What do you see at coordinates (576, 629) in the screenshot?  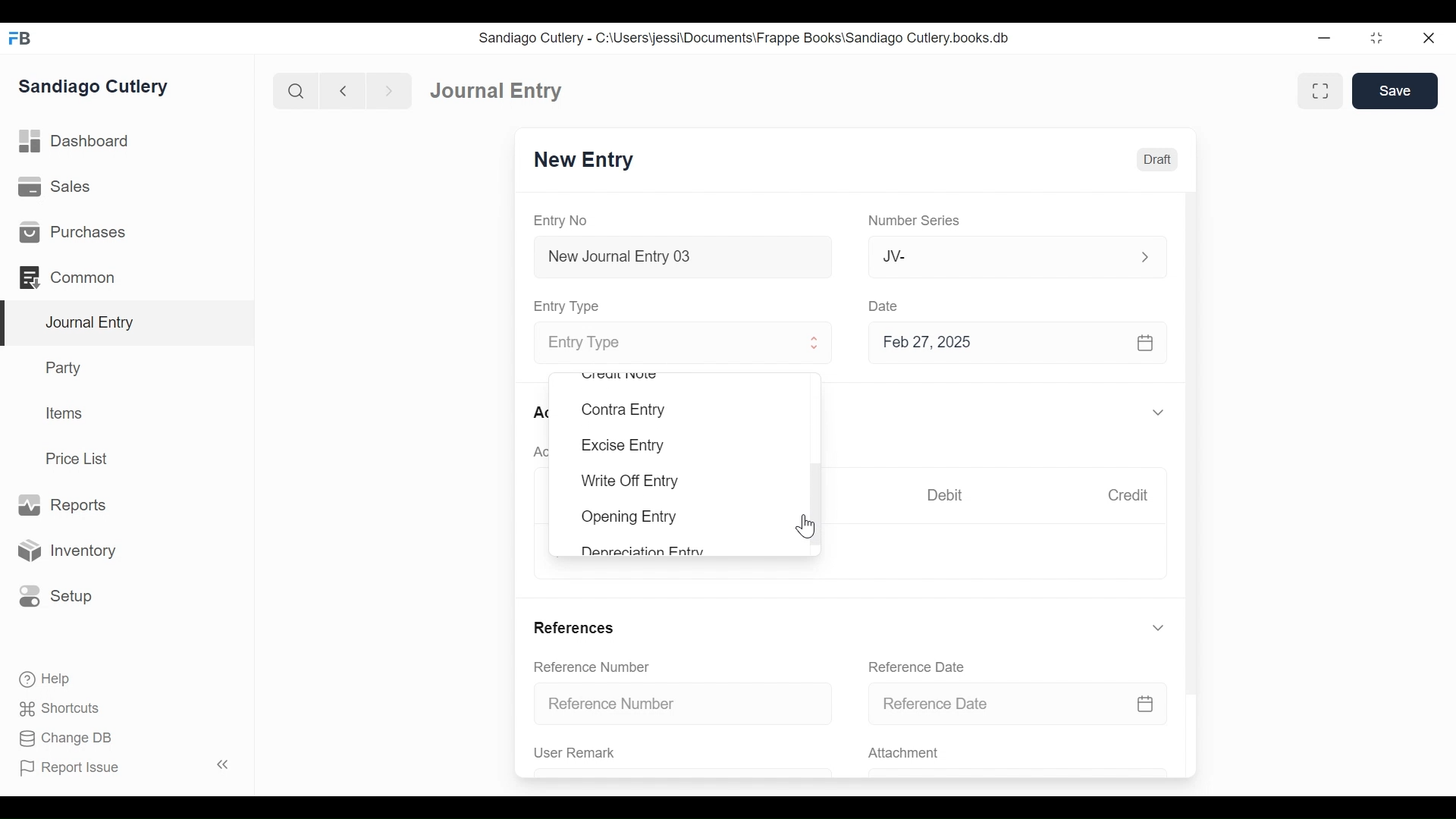 I see `References` at bounding box center [576, 629].